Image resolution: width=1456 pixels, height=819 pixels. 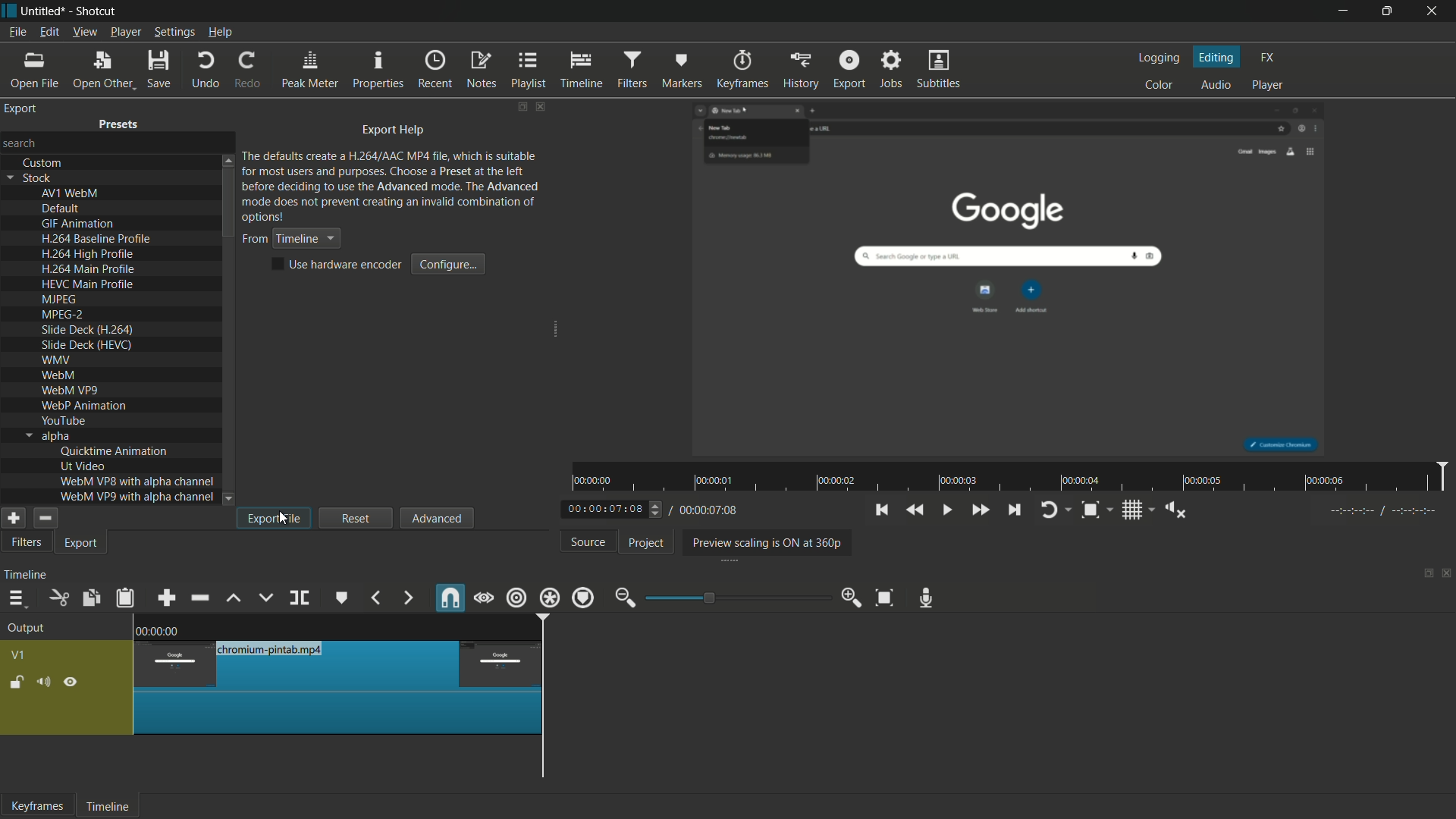 What do you see at coordinates (202, 598) in the screenshot?
I see `ripple delete` at bounding box center [202, 598].